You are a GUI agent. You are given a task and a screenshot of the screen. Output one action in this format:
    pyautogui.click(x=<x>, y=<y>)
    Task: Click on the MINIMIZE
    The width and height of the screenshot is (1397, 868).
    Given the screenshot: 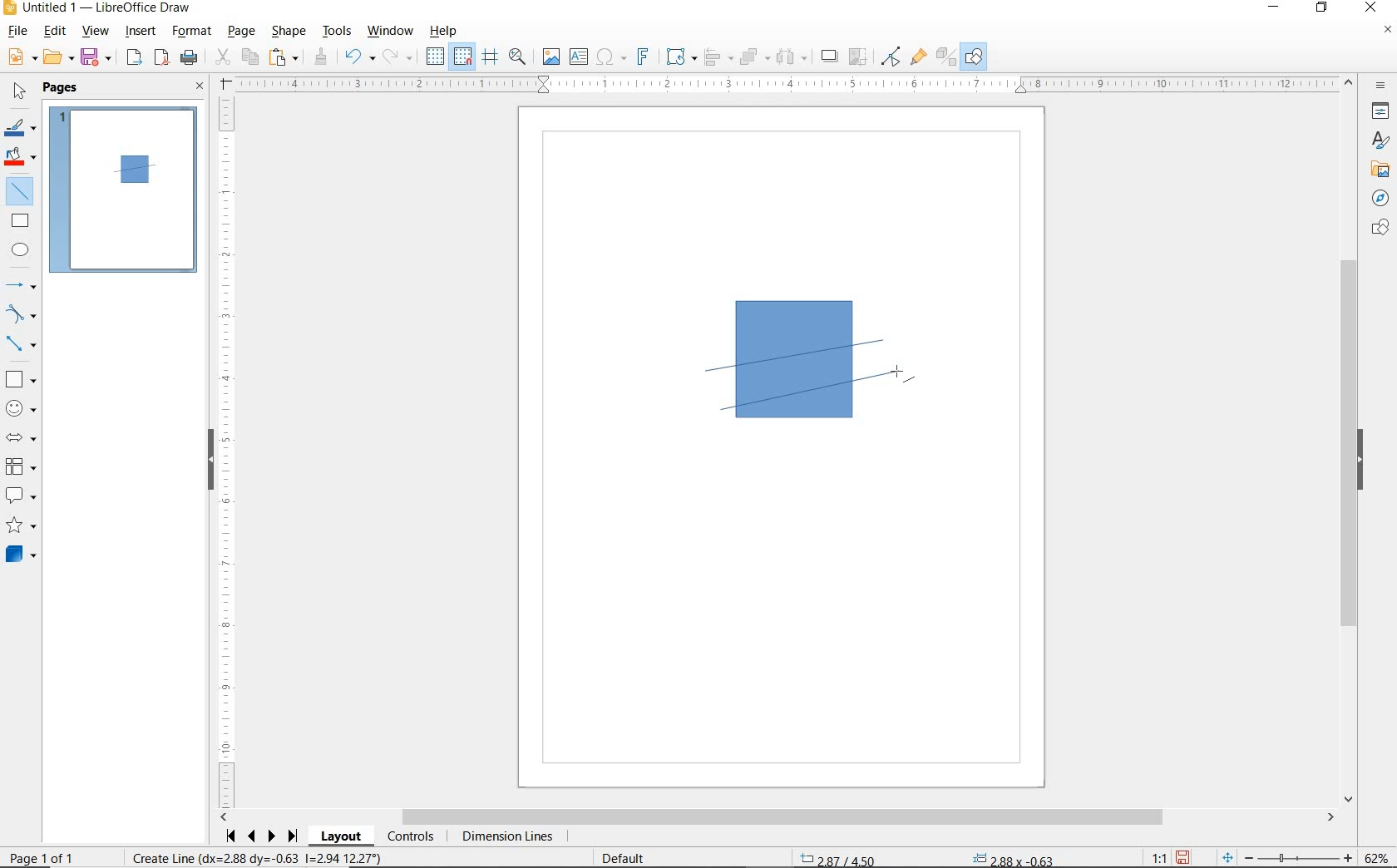 What is the action you would take?
    pyautogui.click(x=1278, y=8)
    